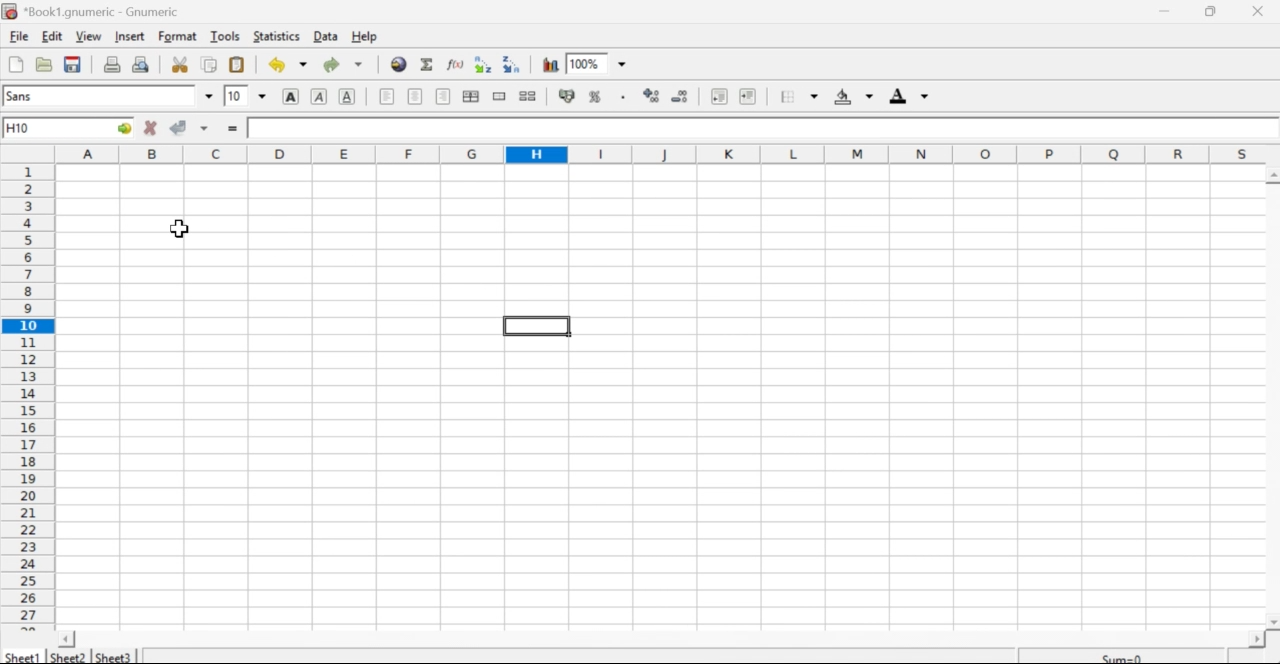  Describe the element at coordinates (182, 128) in the screenshot. I see `Accept change` at that location.